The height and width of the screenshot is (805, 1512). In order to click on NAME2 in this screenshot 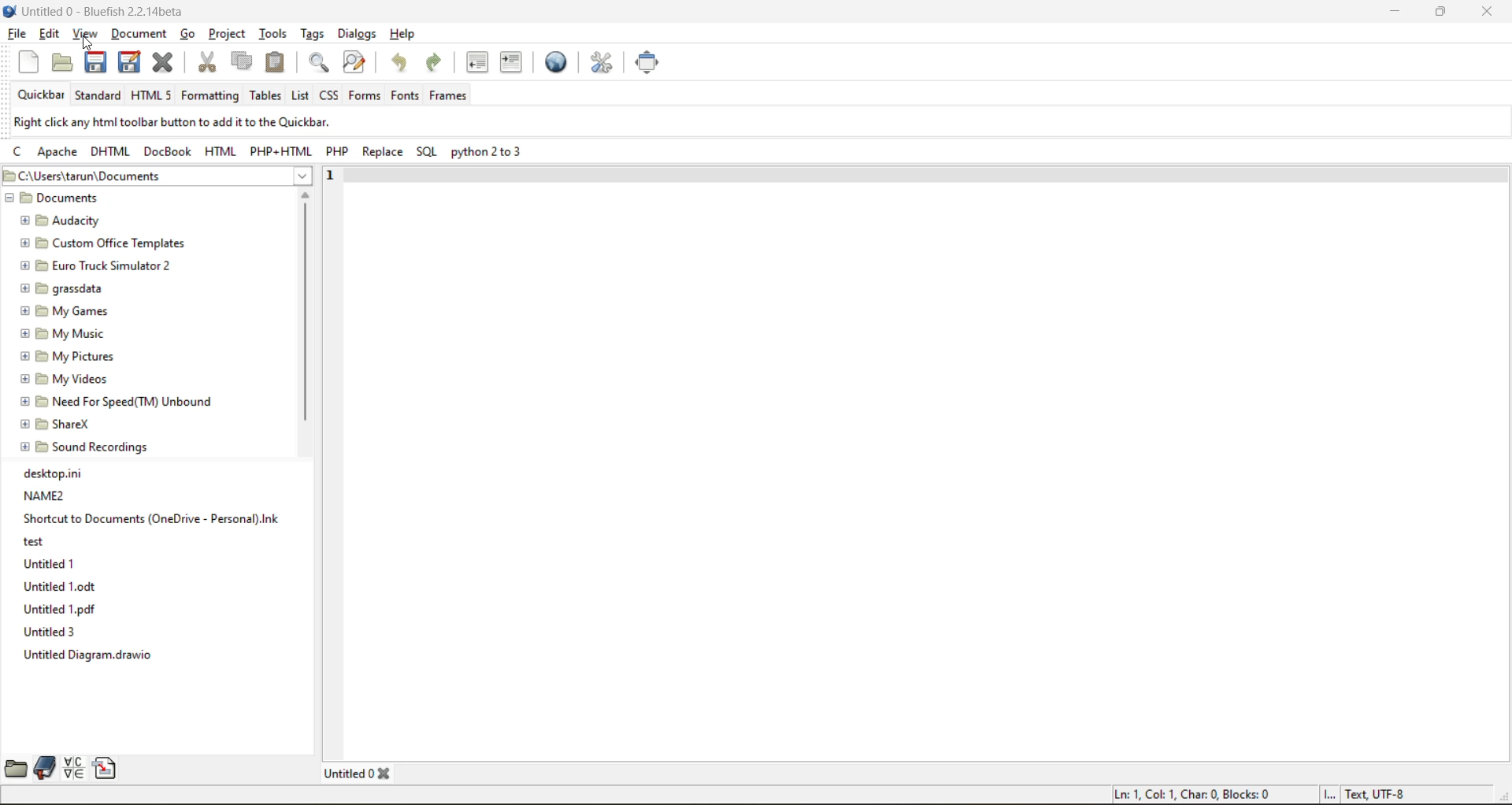, I will do `click(51, 496)`.